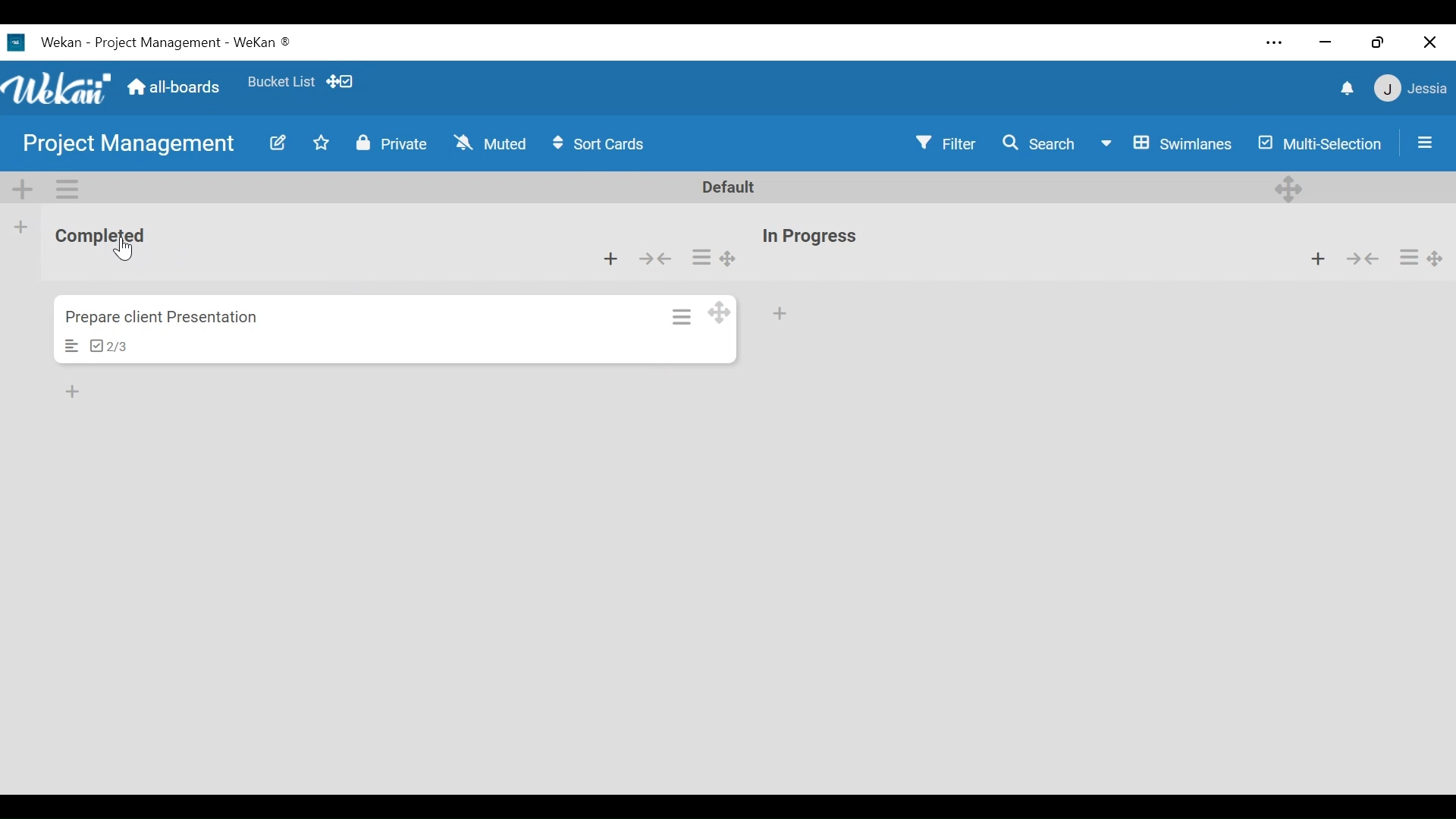 Image resolution: width=1456 pixels, height=819 pixels. I want to click on list action, so click(704, 258).